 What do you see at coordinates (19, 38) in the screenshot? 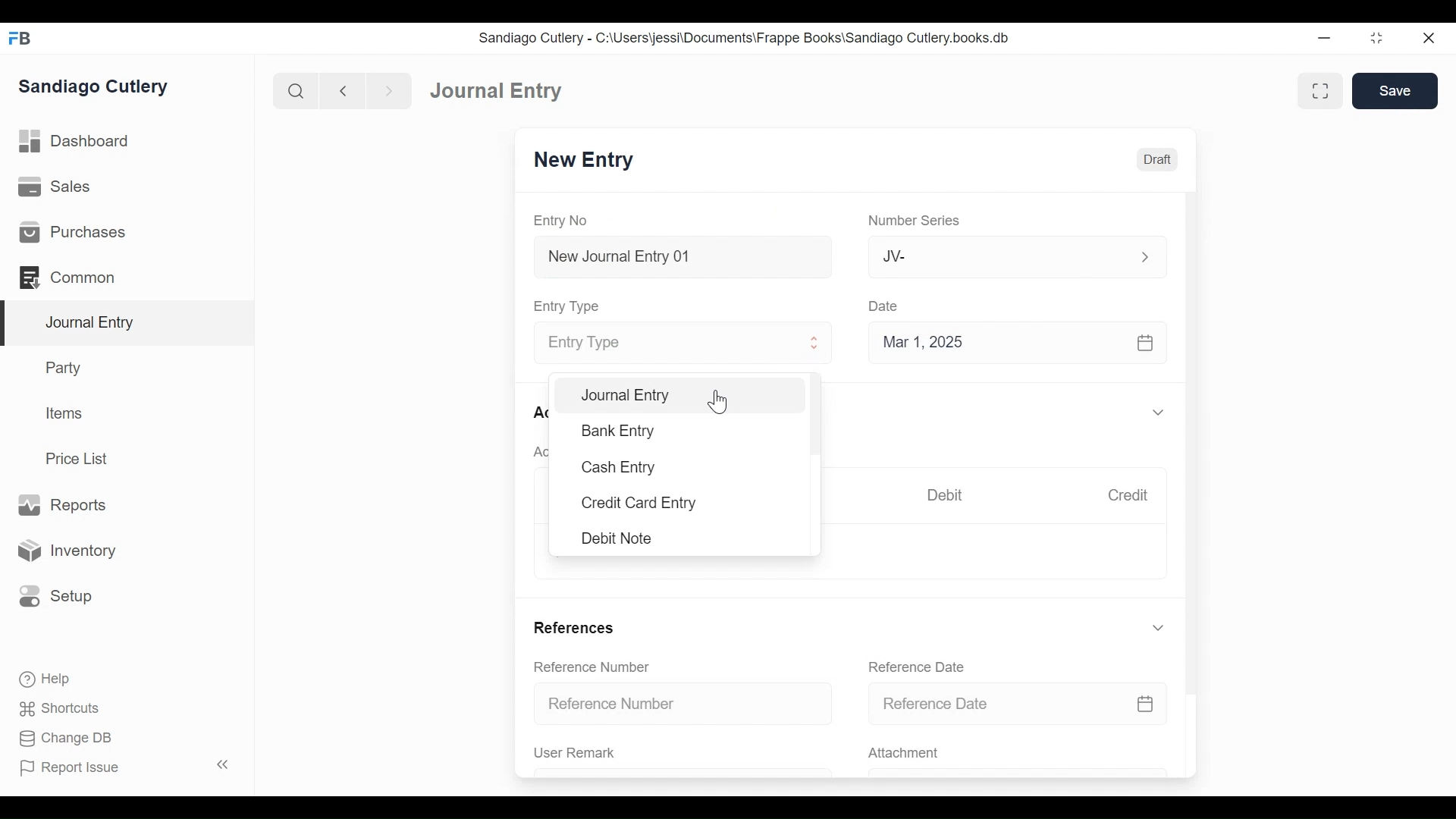
I see `FrappeBooks logo` at bounding box center [19, 38].